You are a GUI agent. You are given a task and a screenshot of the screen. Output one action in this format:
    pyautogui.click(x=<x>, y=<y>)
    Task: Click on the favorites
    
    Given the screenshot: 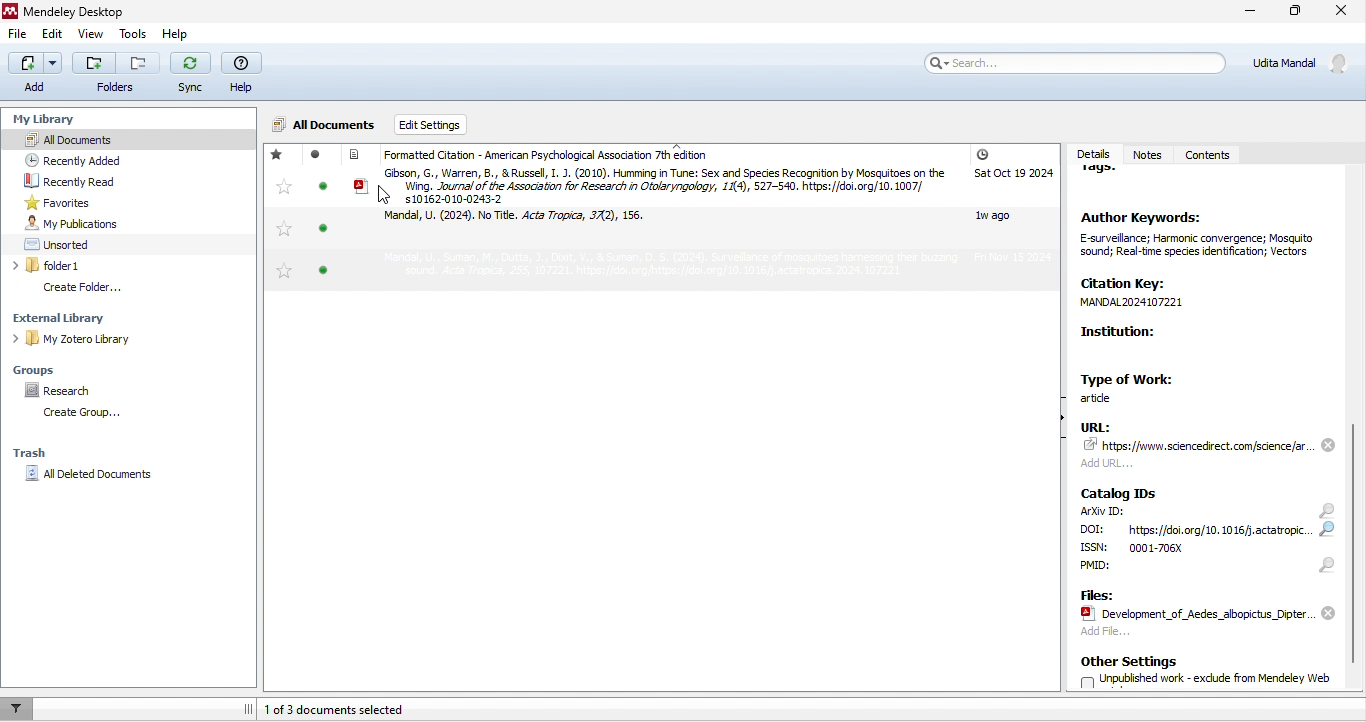 What is the action you would take?
    pyautogui.click(x=281, y=214)
    